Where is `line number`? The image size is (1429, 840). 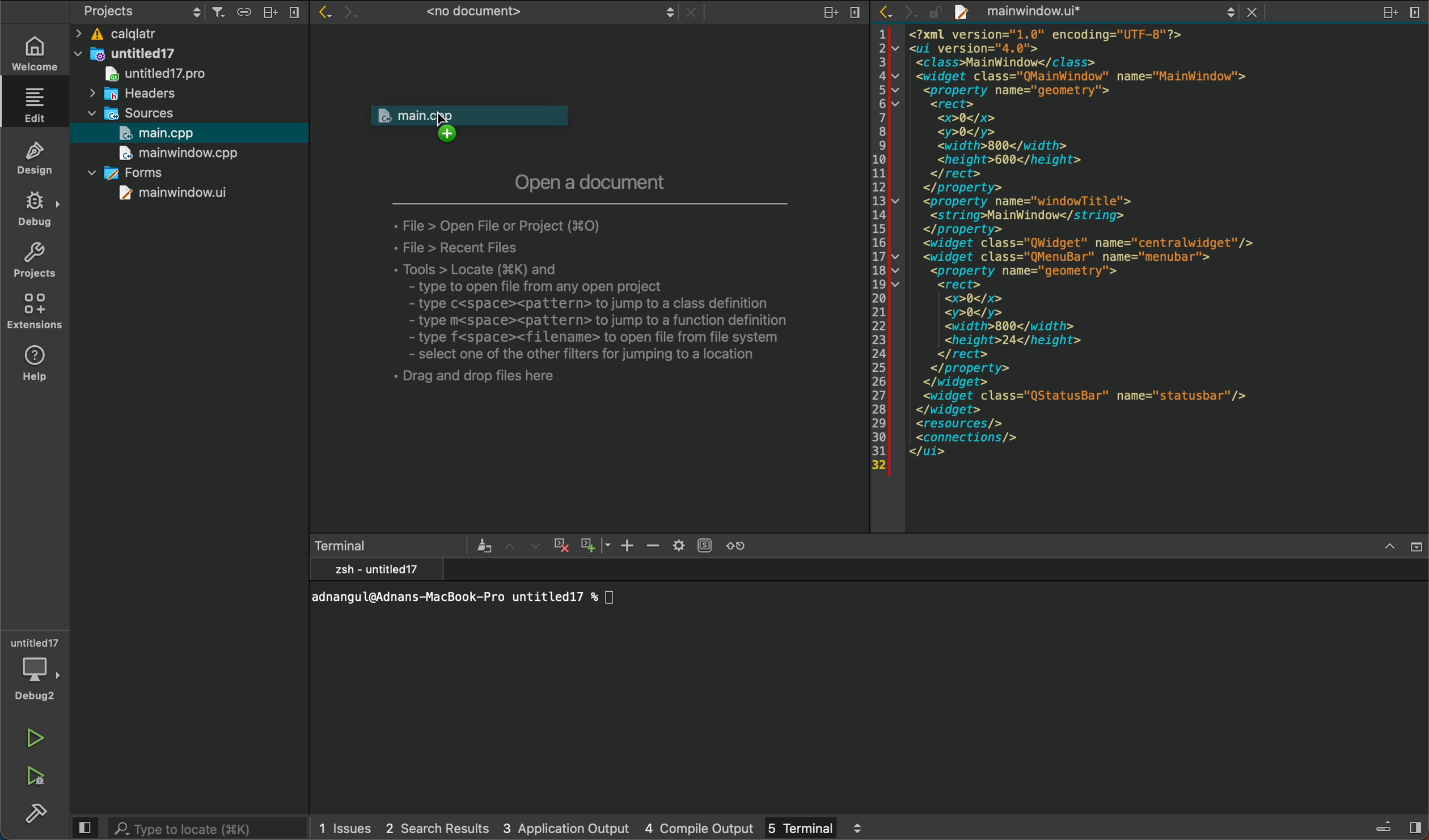
line number is located at coordinates (879, 255).